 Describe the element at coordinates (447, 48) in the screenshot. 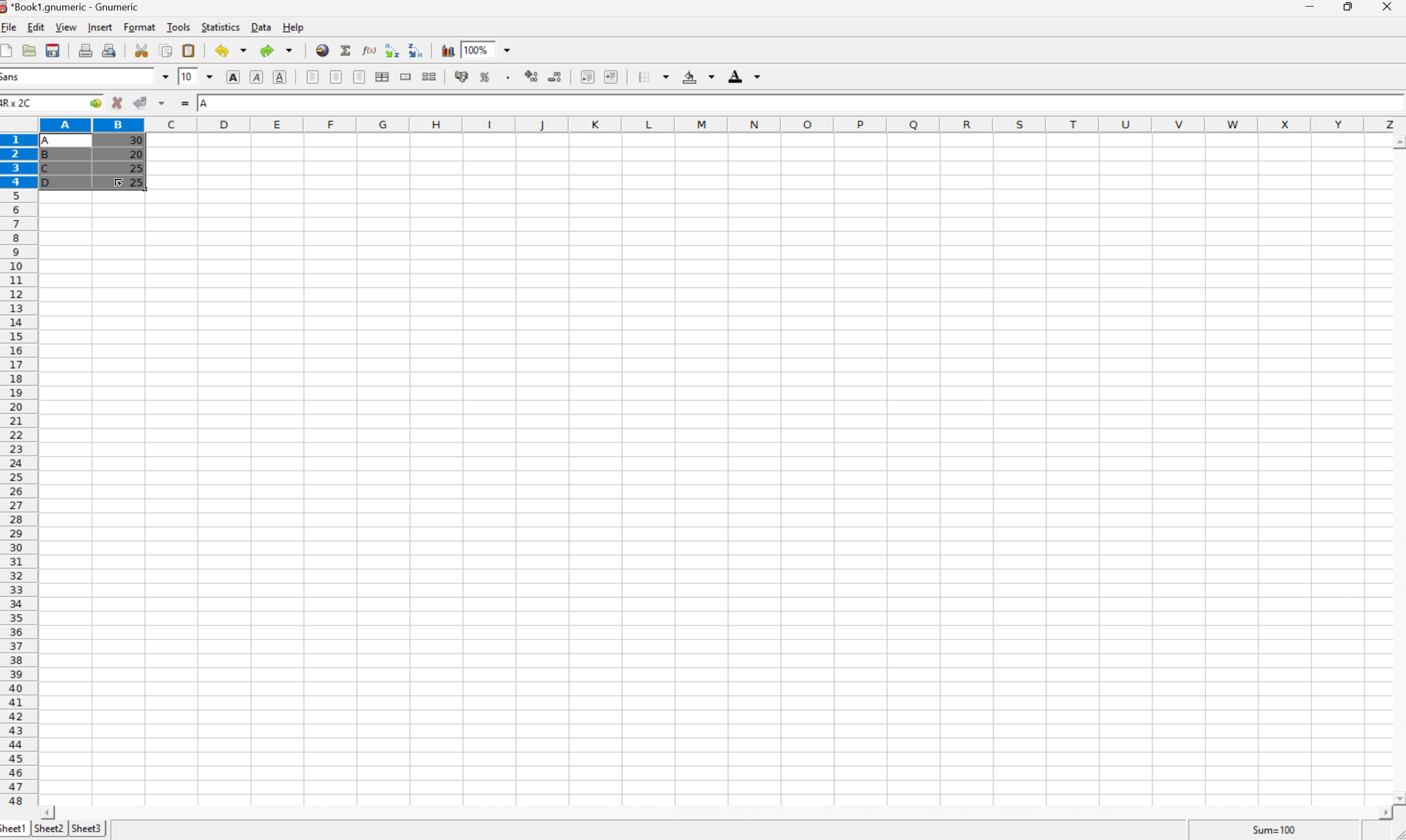

I see `Insert a chart` at that location.